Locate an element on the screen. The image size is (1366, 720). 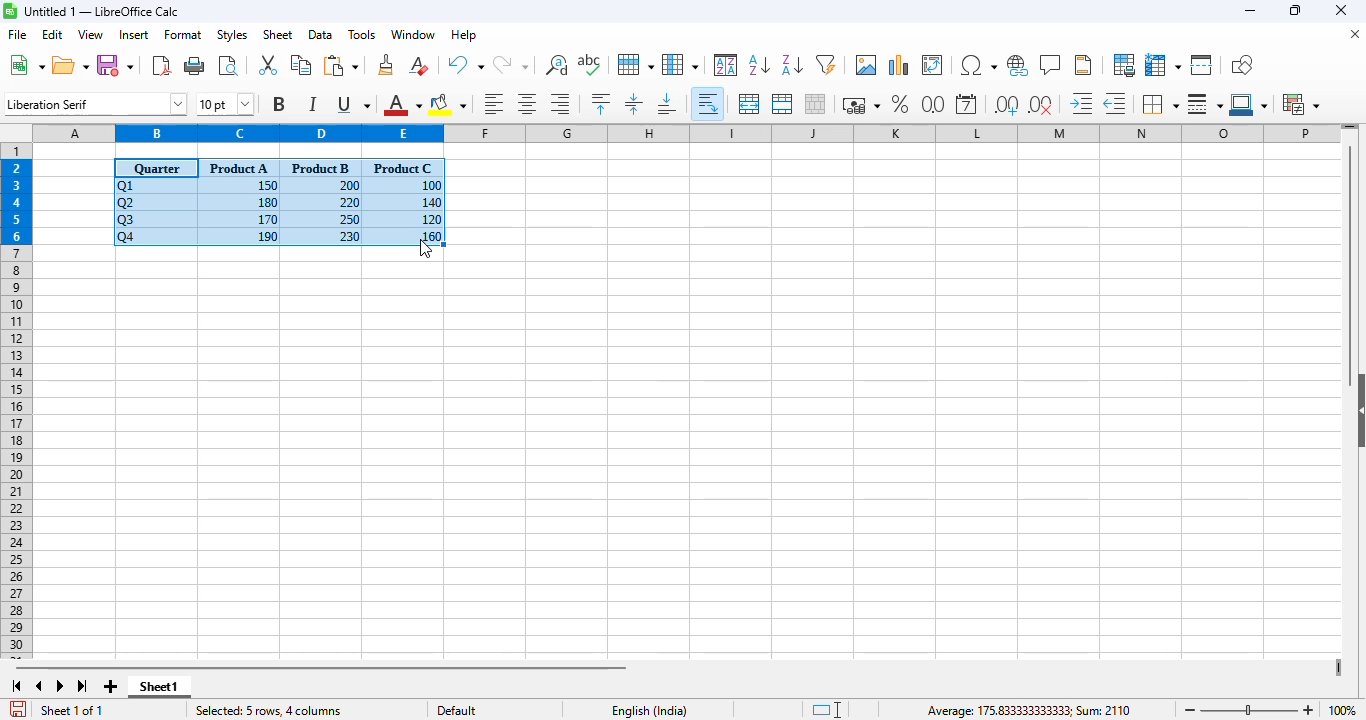
conditional is located at coordinates (1300, 104).